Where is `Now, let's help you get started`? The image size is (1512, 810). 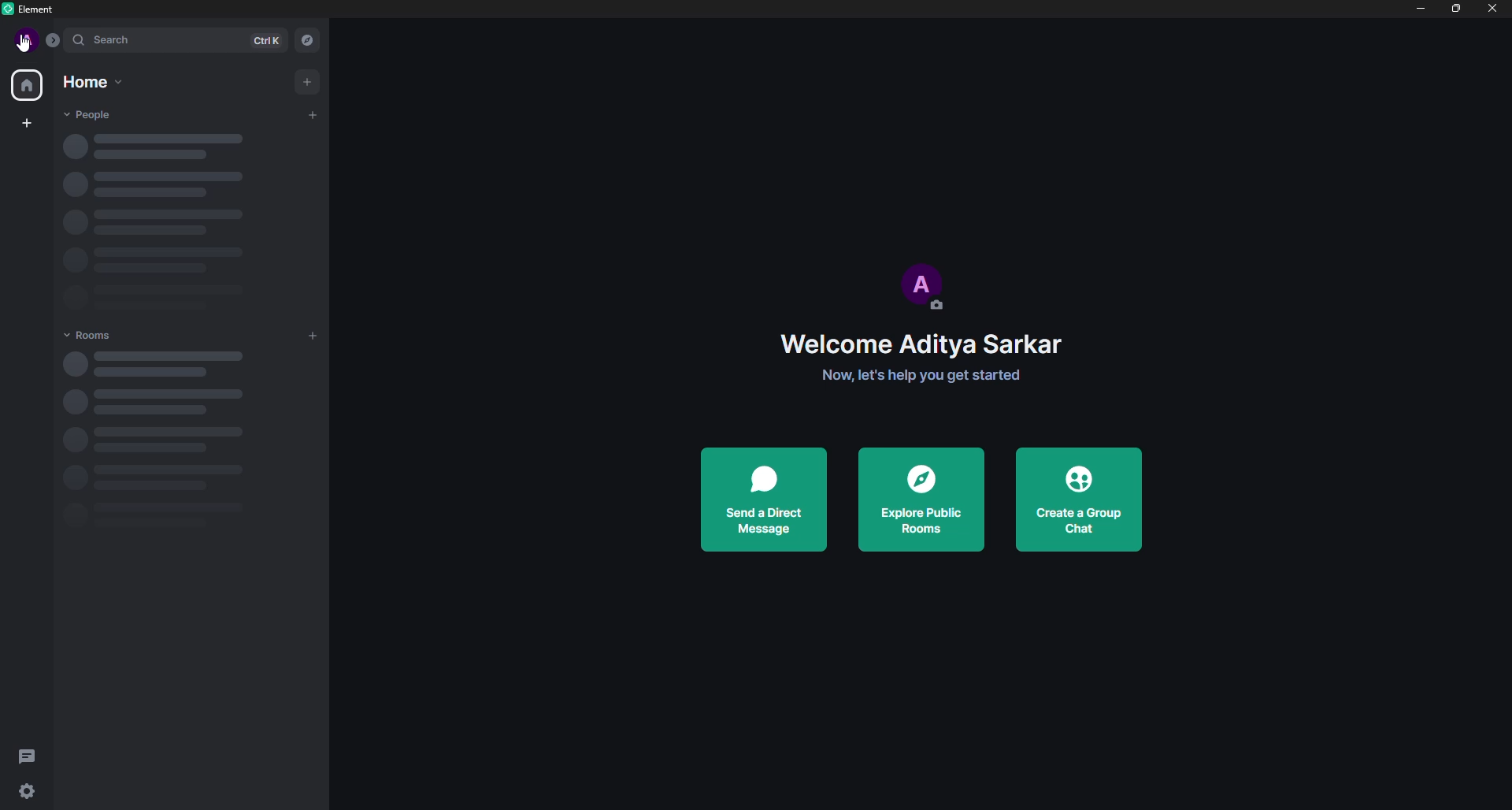 Now, let's help you get started is located at coordinates (926, 375).